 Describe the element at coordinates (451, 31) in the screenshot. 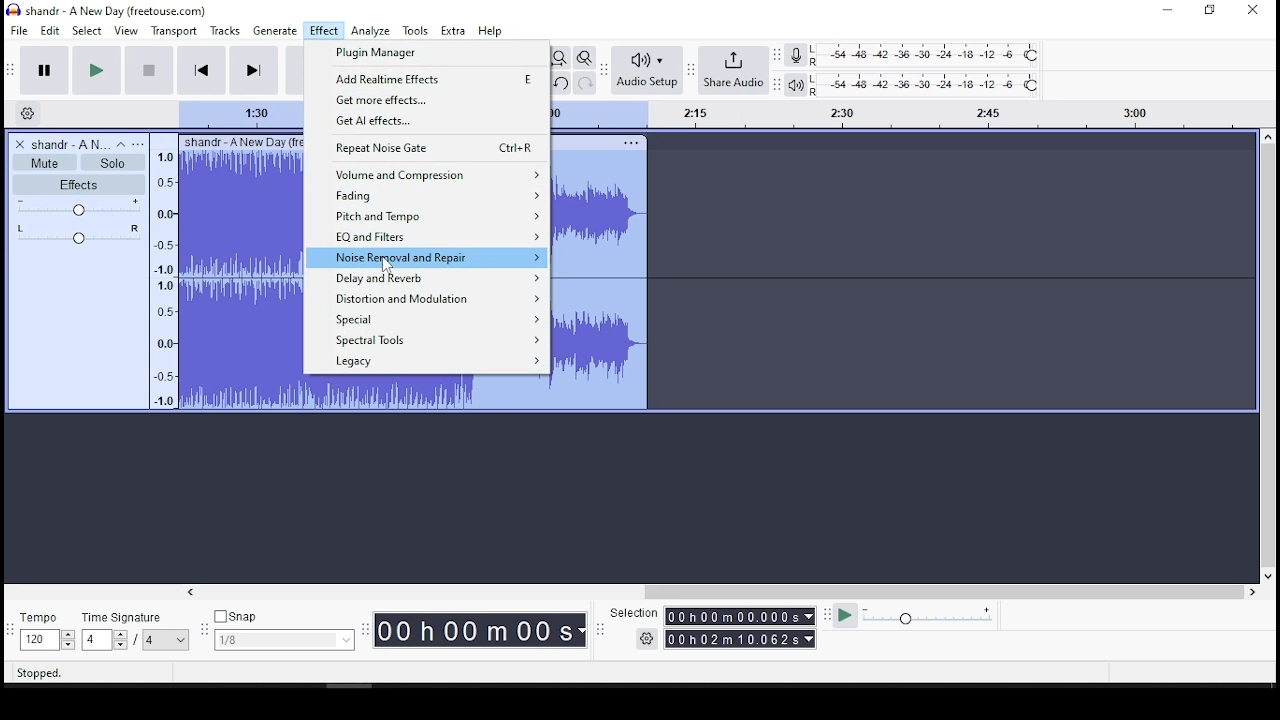

I see `` at that location.